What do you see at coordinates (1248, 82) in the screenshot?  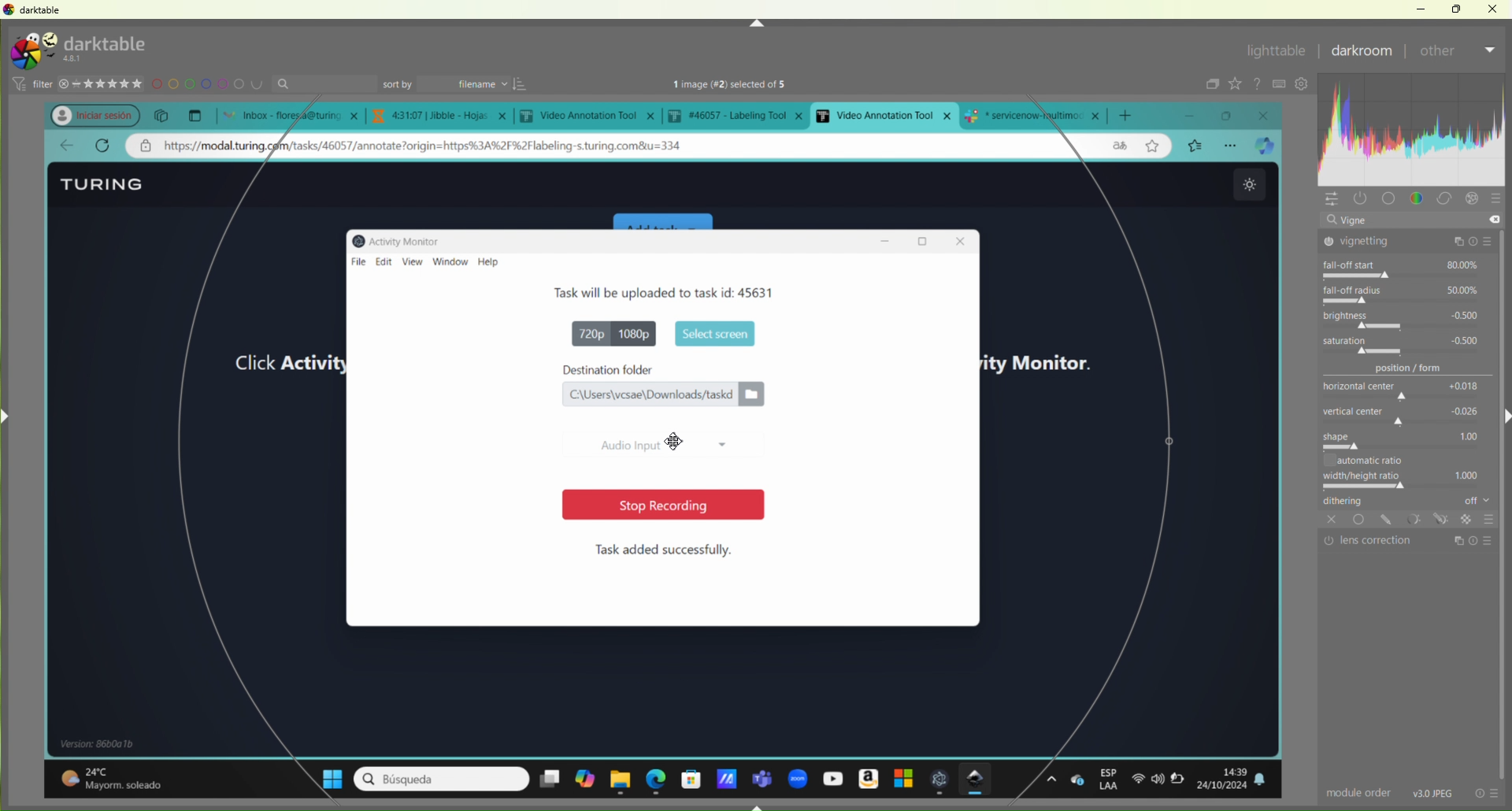 I see `` at bounding box center [1248, 82].